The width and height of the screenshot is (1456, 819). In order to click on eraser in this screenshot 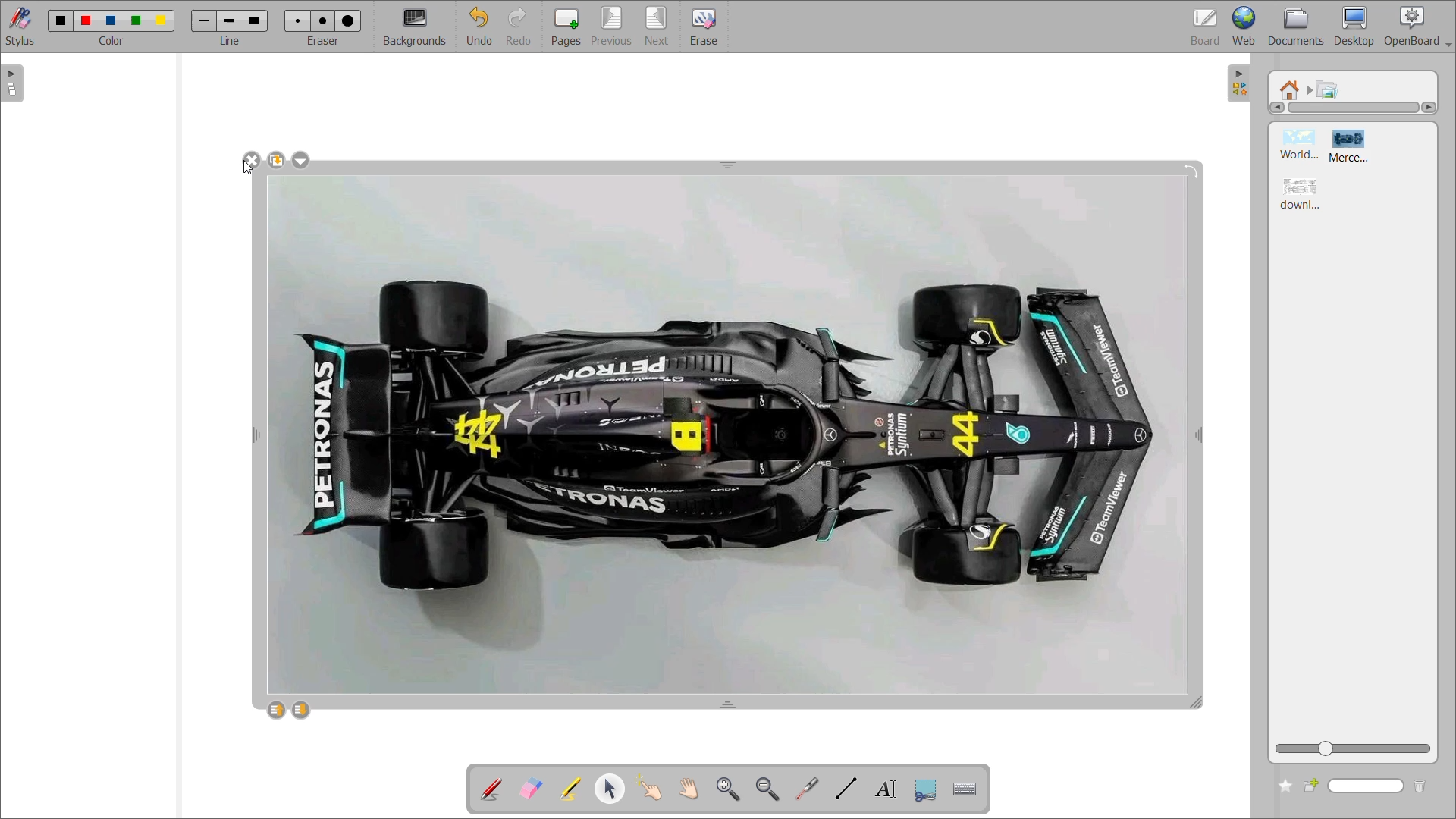, I will do `click(325, 42)`.